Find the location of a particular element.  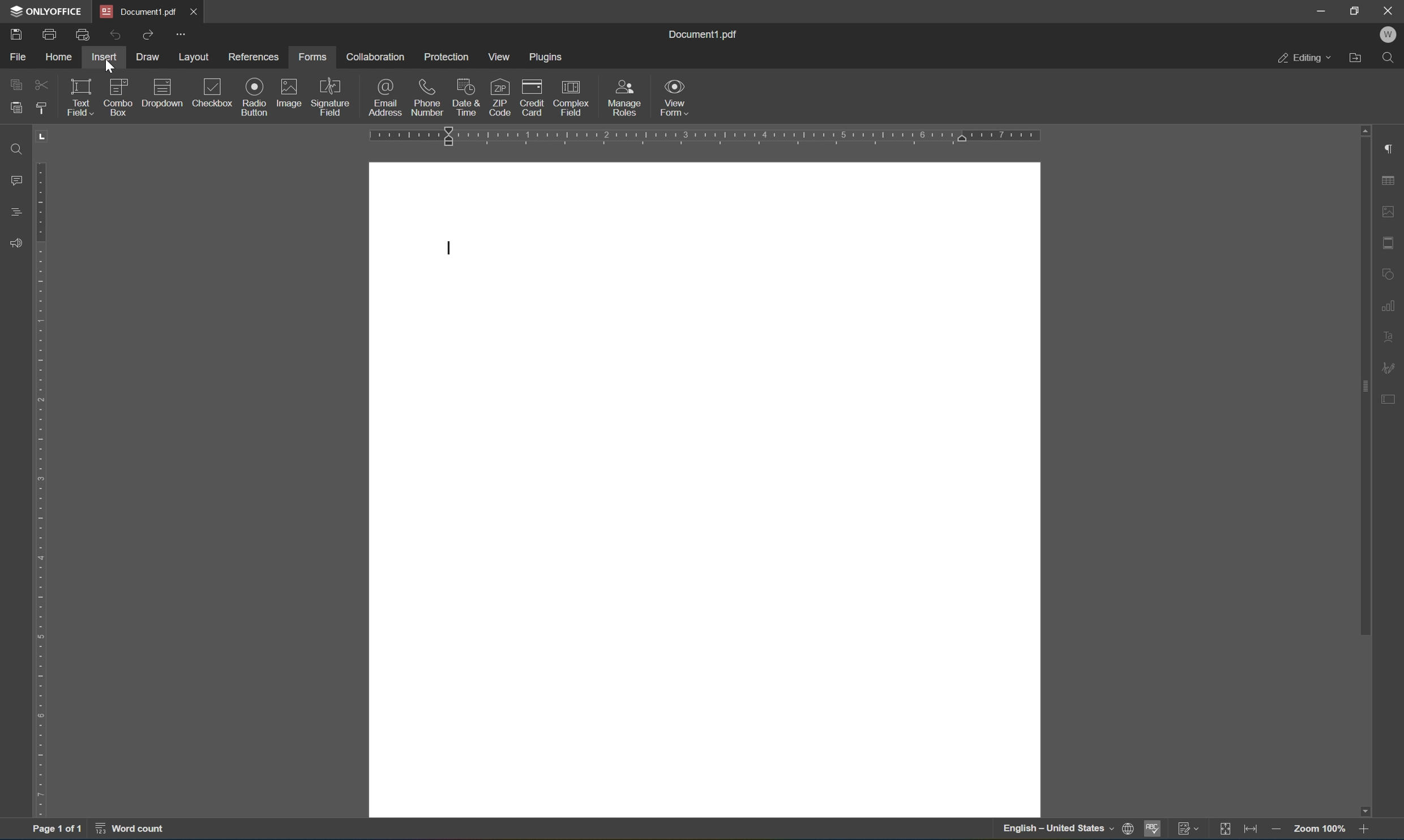

ruler is located at coordinates (709, 136).